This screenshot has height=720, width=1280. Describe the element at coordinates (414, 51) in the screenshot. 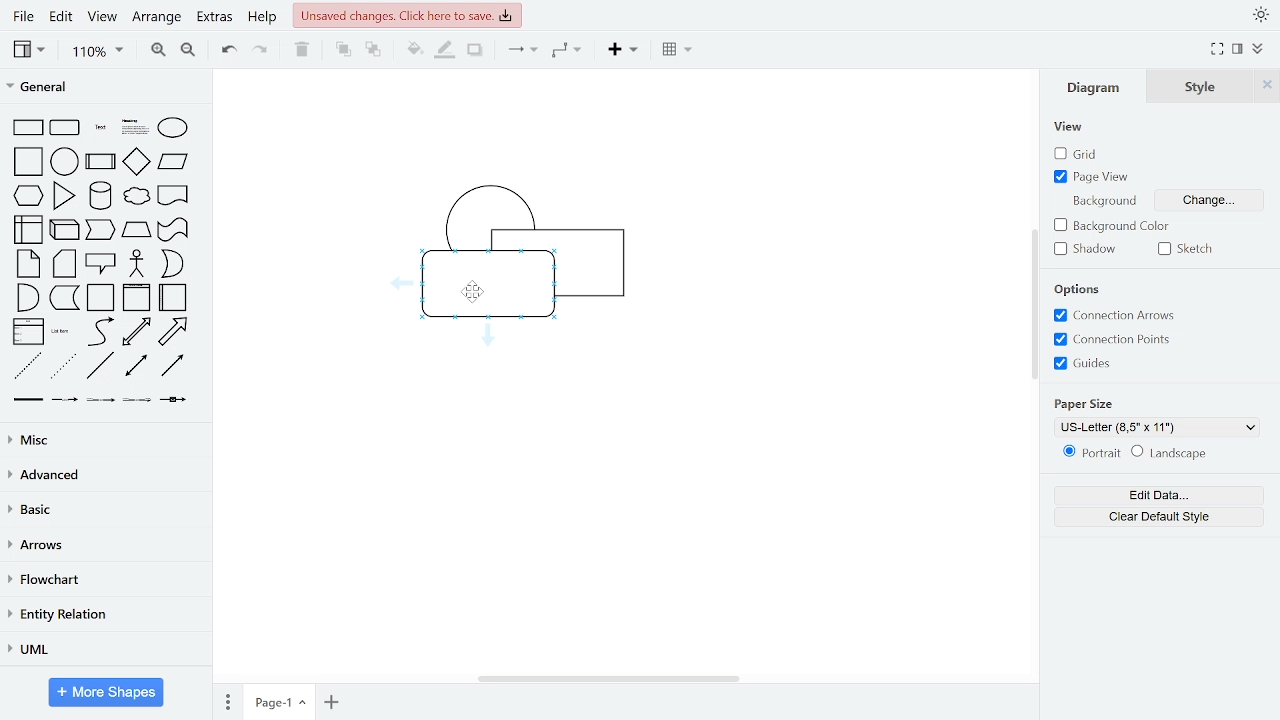

I see `fill color` at that location.